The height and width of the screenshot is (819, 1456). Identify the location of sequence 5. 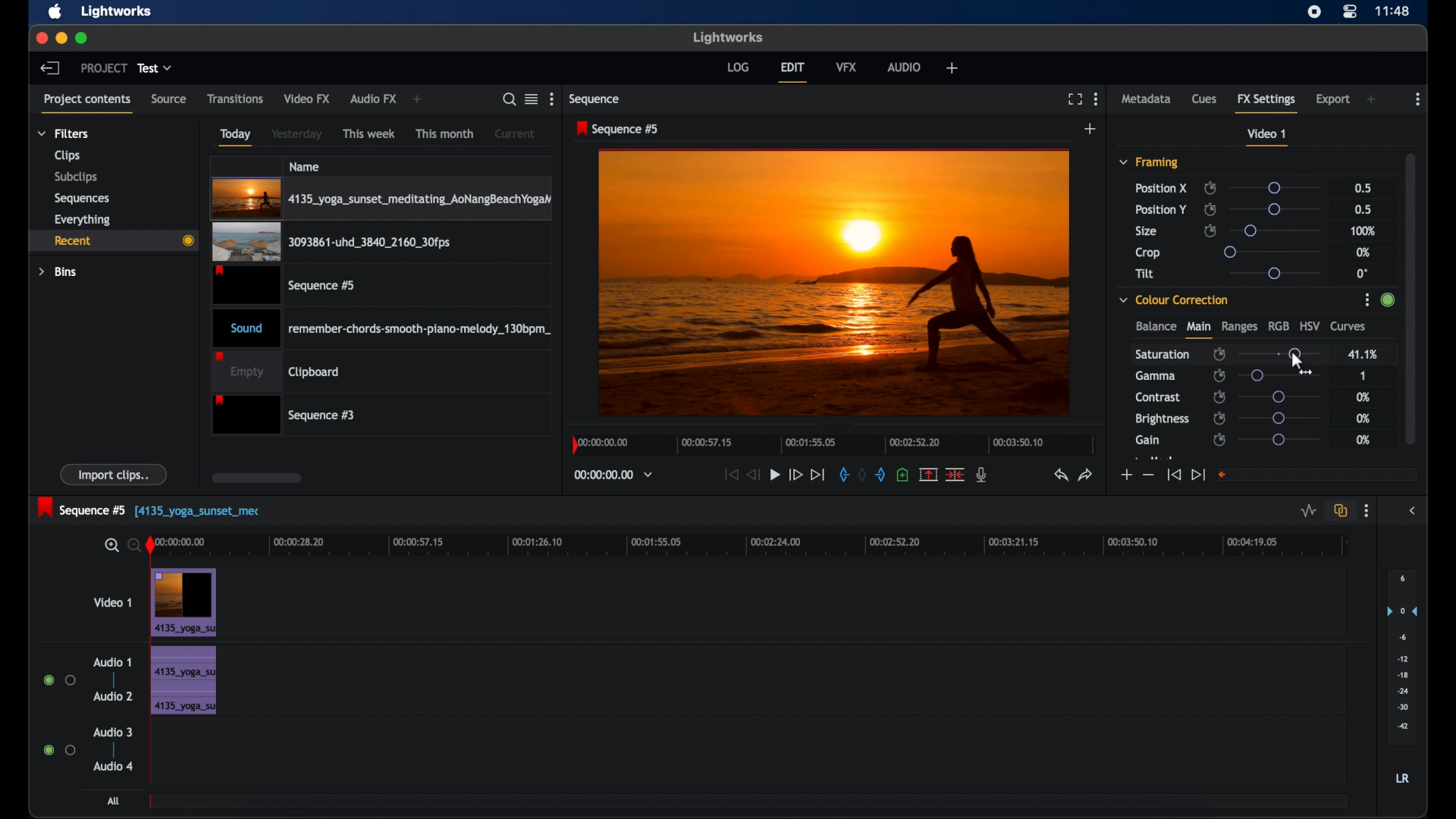
(618, 130).